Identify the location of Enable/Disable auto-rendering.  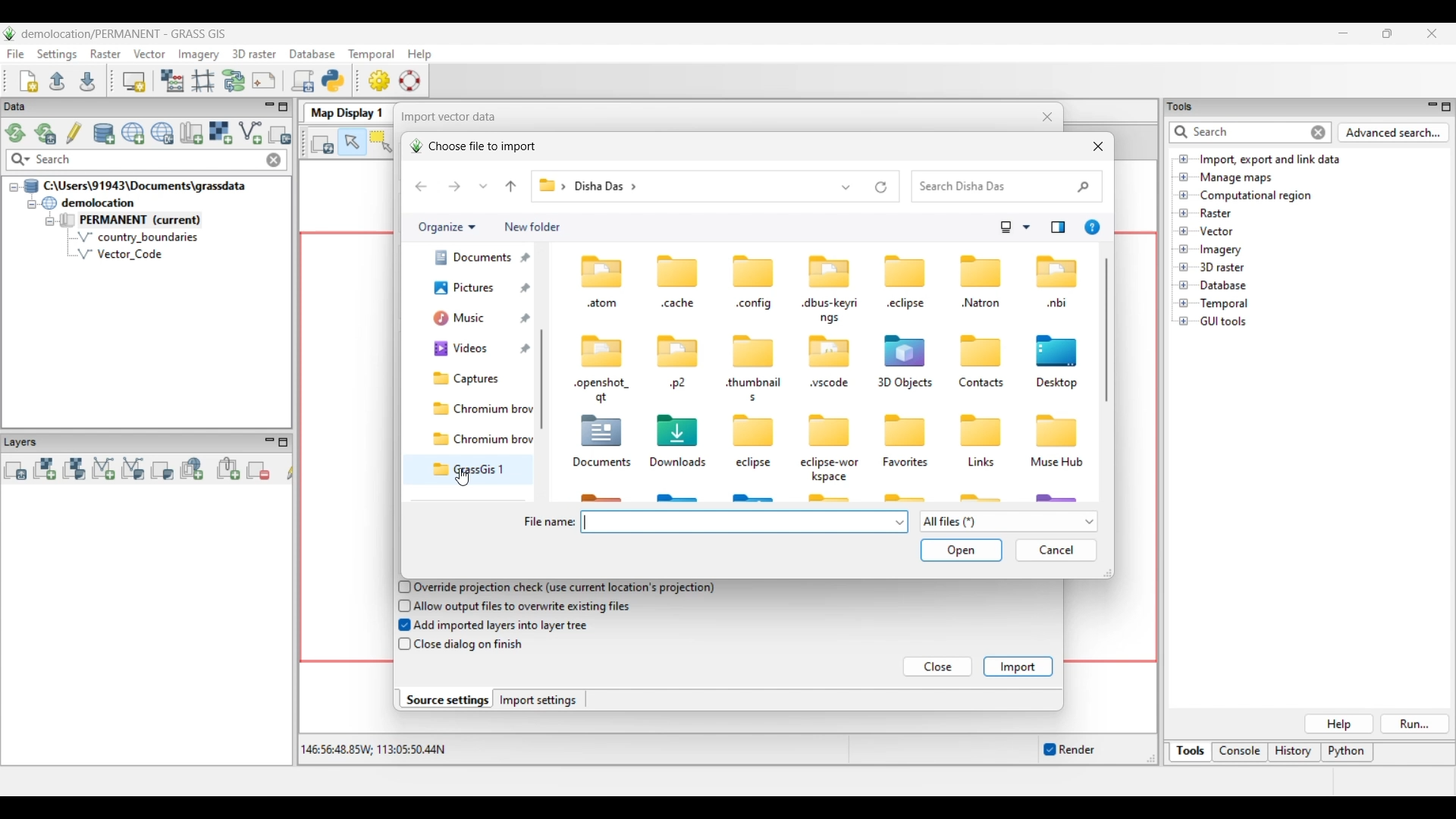
(1068, 750).